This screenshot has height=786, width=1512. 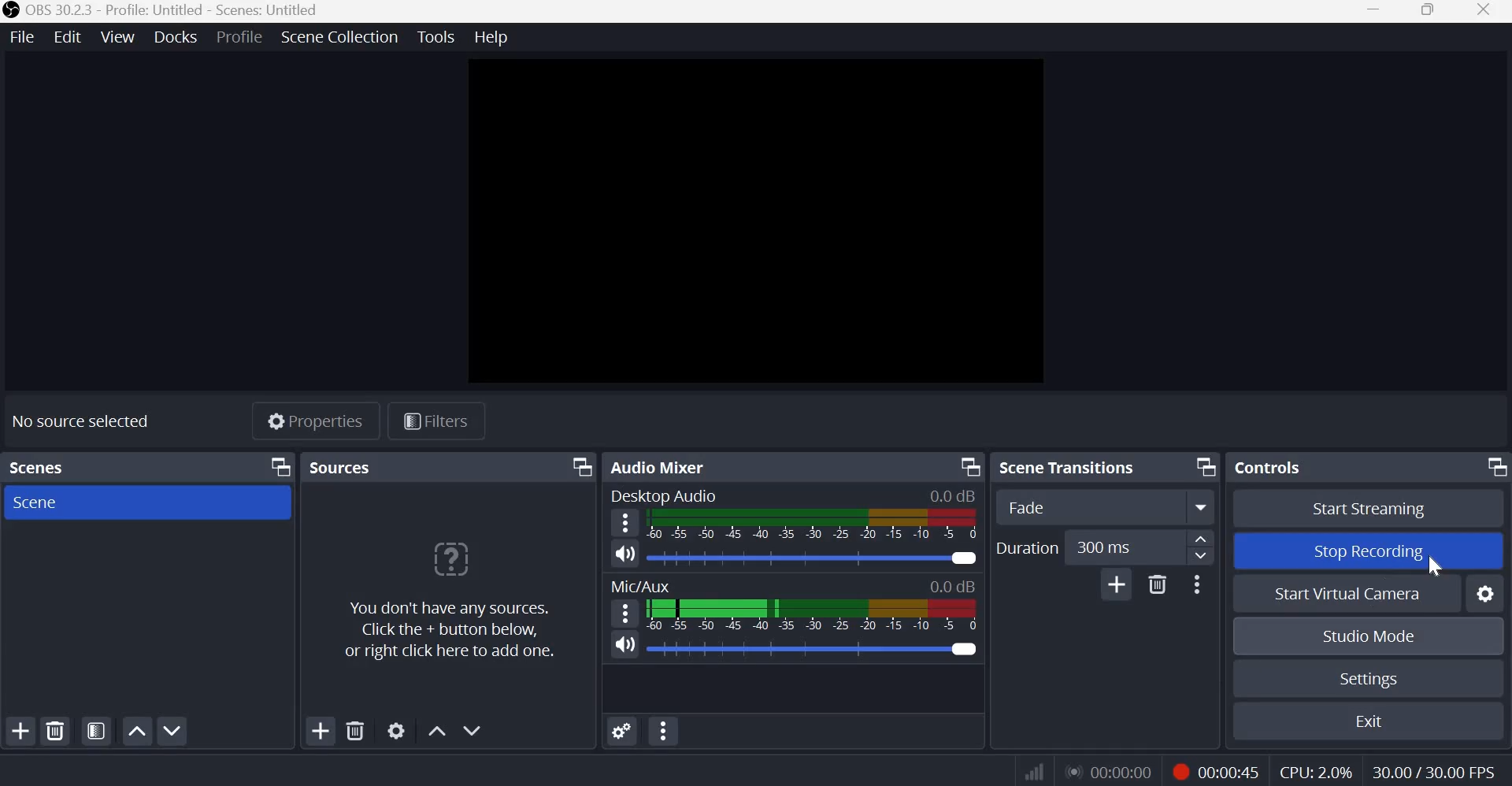 What do you see at coordinates (11, 12) in the screenshot?
I see `OBS Studio Logo` at bounding box center [11, 12].